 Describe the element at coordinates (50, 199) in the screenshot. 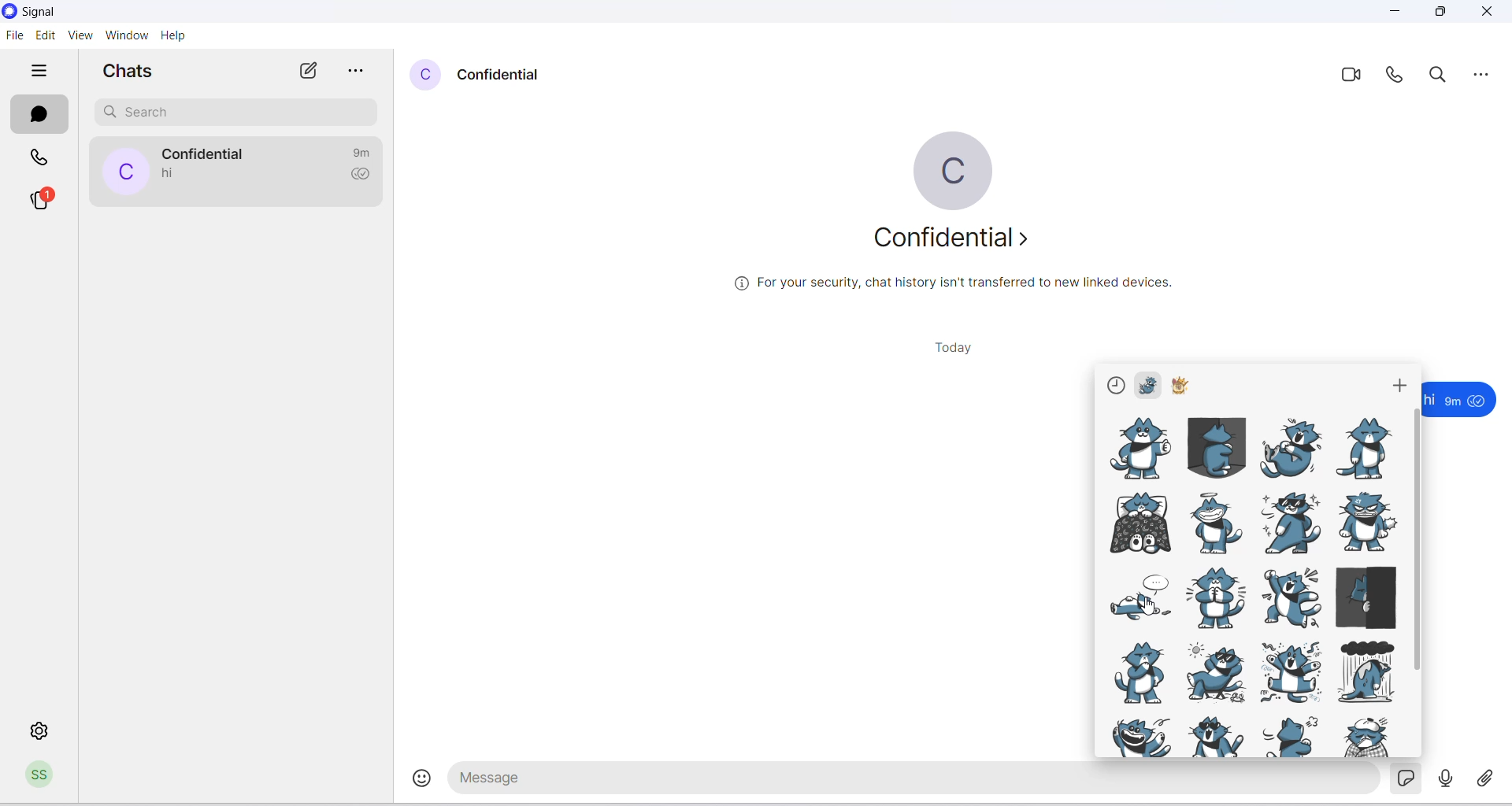

I see `stories` at that location.